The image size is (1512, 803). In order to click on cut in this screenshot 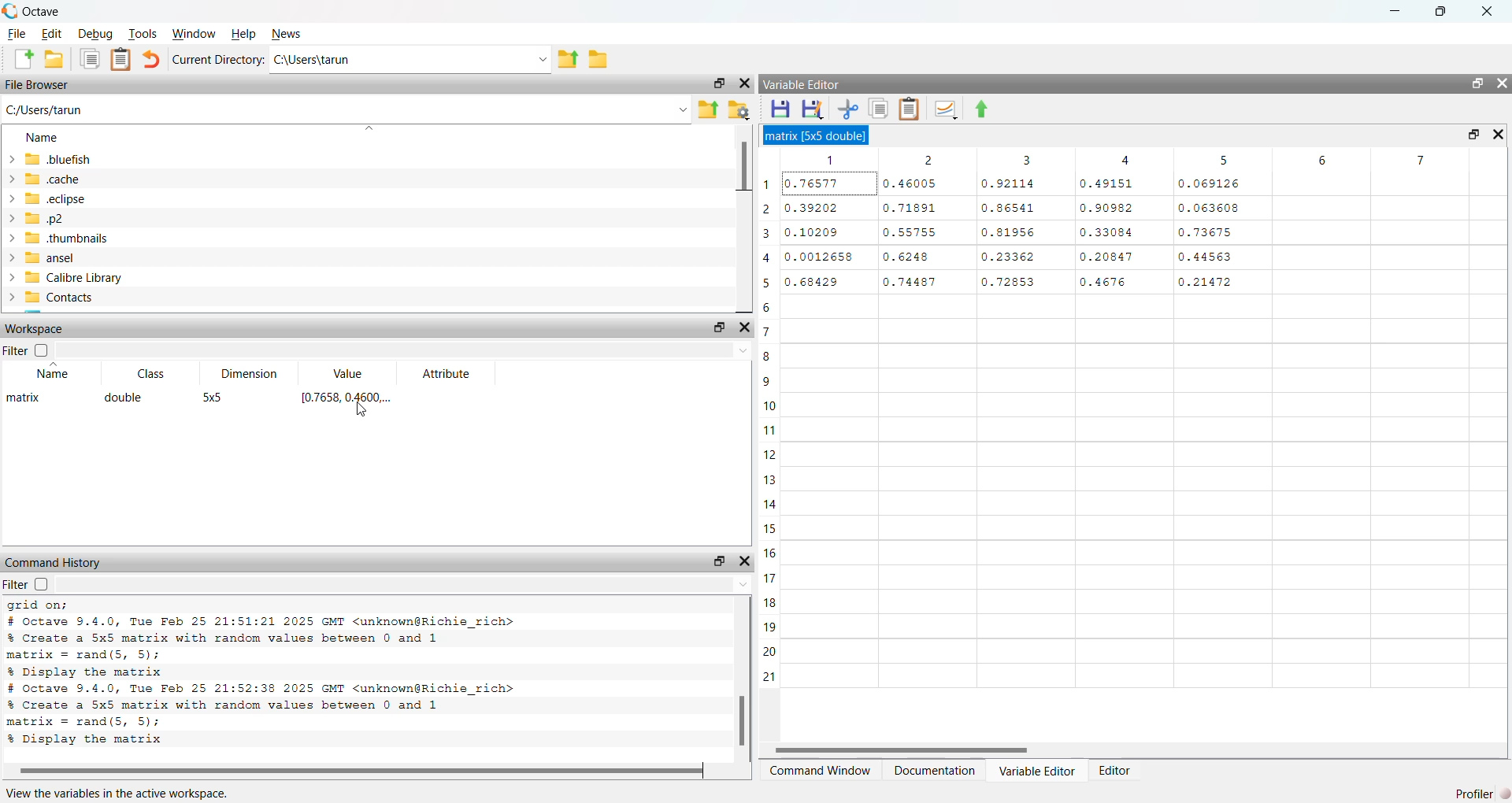, I will do `click(849, 110)`.